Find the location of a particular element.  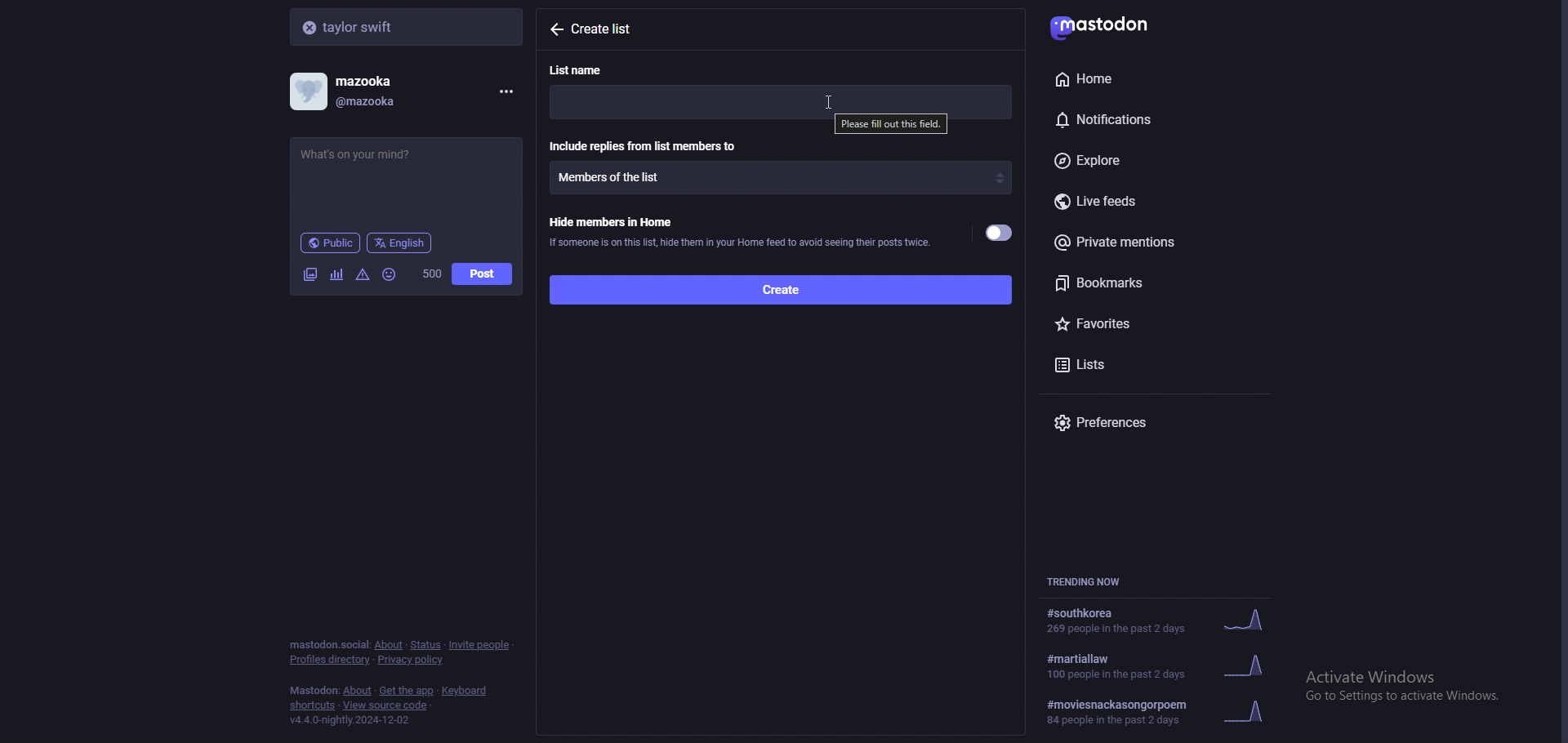

list name is located at coordinates (586, 69).